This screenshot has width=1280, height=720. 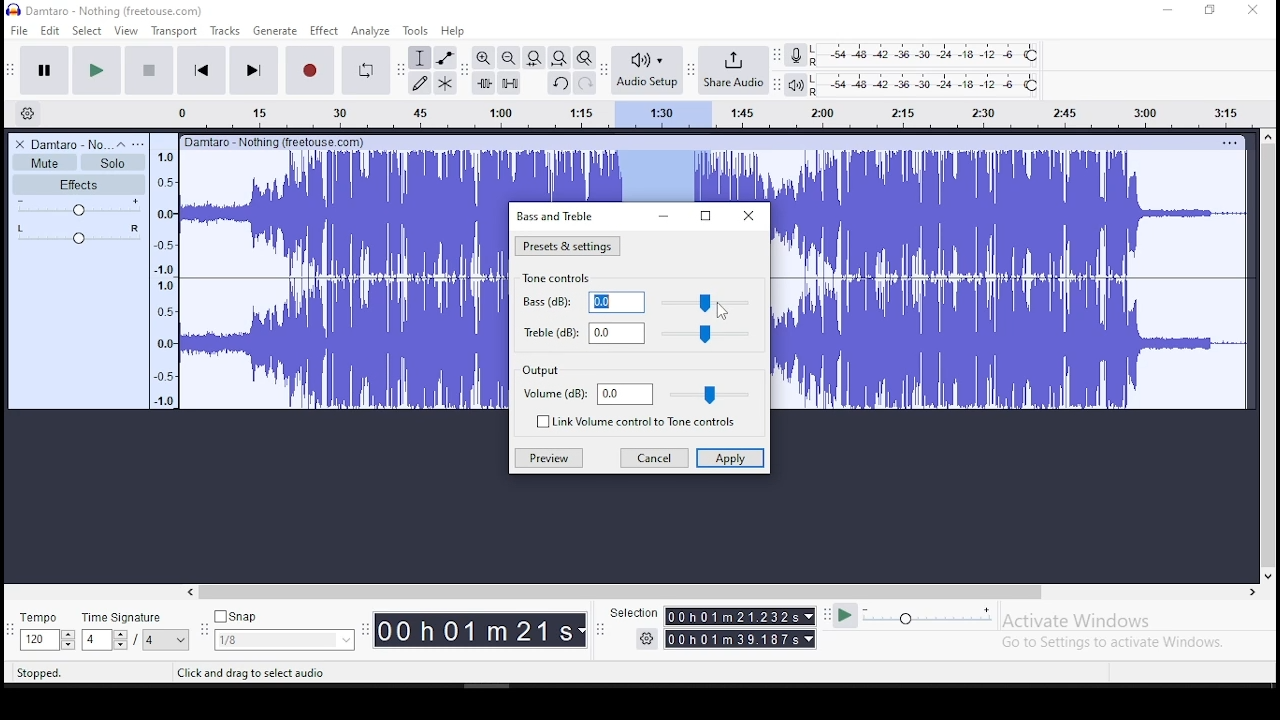 I want to click on , so click(x=1229, y=142).